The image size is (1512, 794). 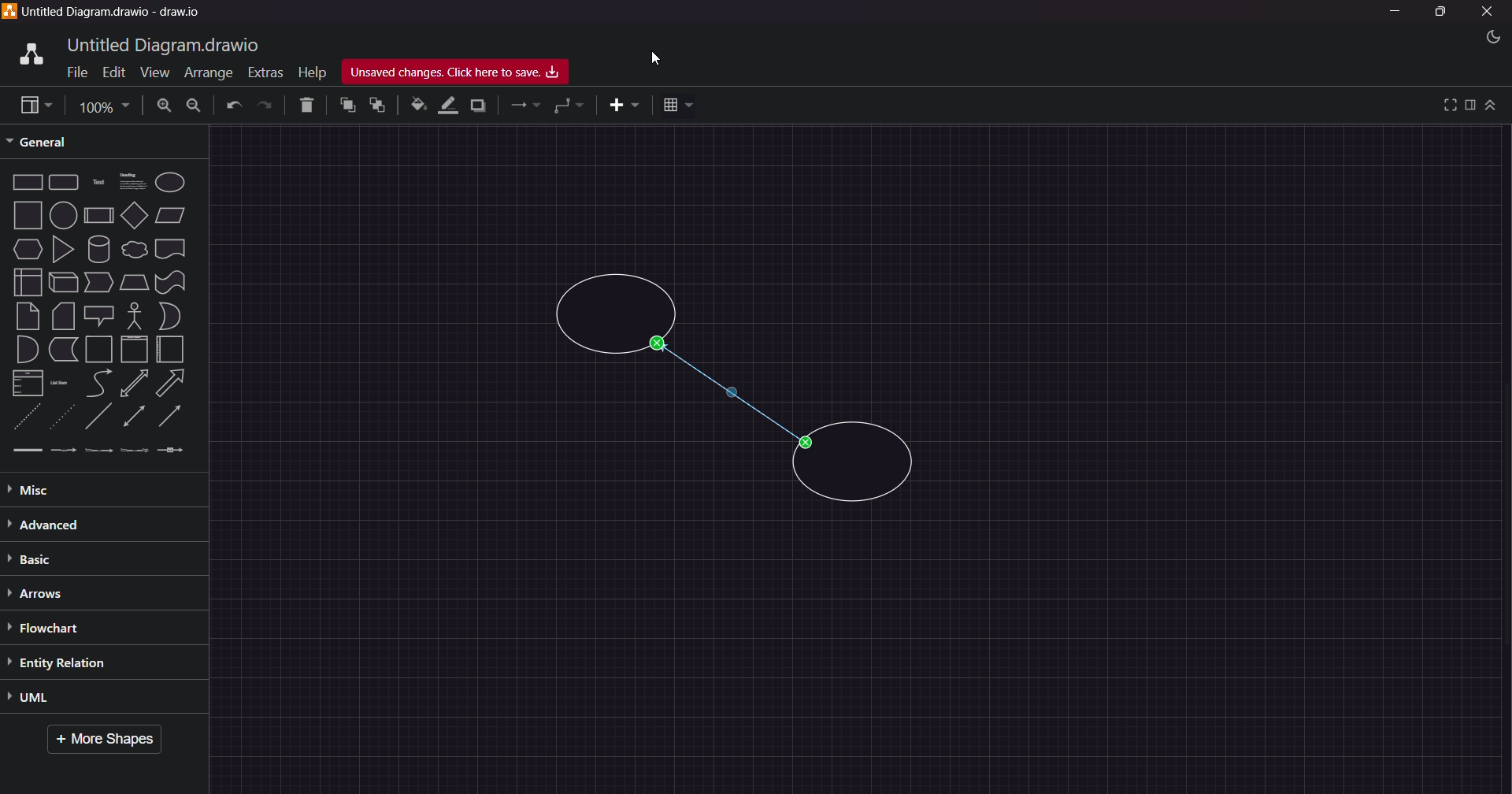 What do you see at coordinates (448, 105) in the screenshot?
I see `line color` at bounding box center [448, 105].